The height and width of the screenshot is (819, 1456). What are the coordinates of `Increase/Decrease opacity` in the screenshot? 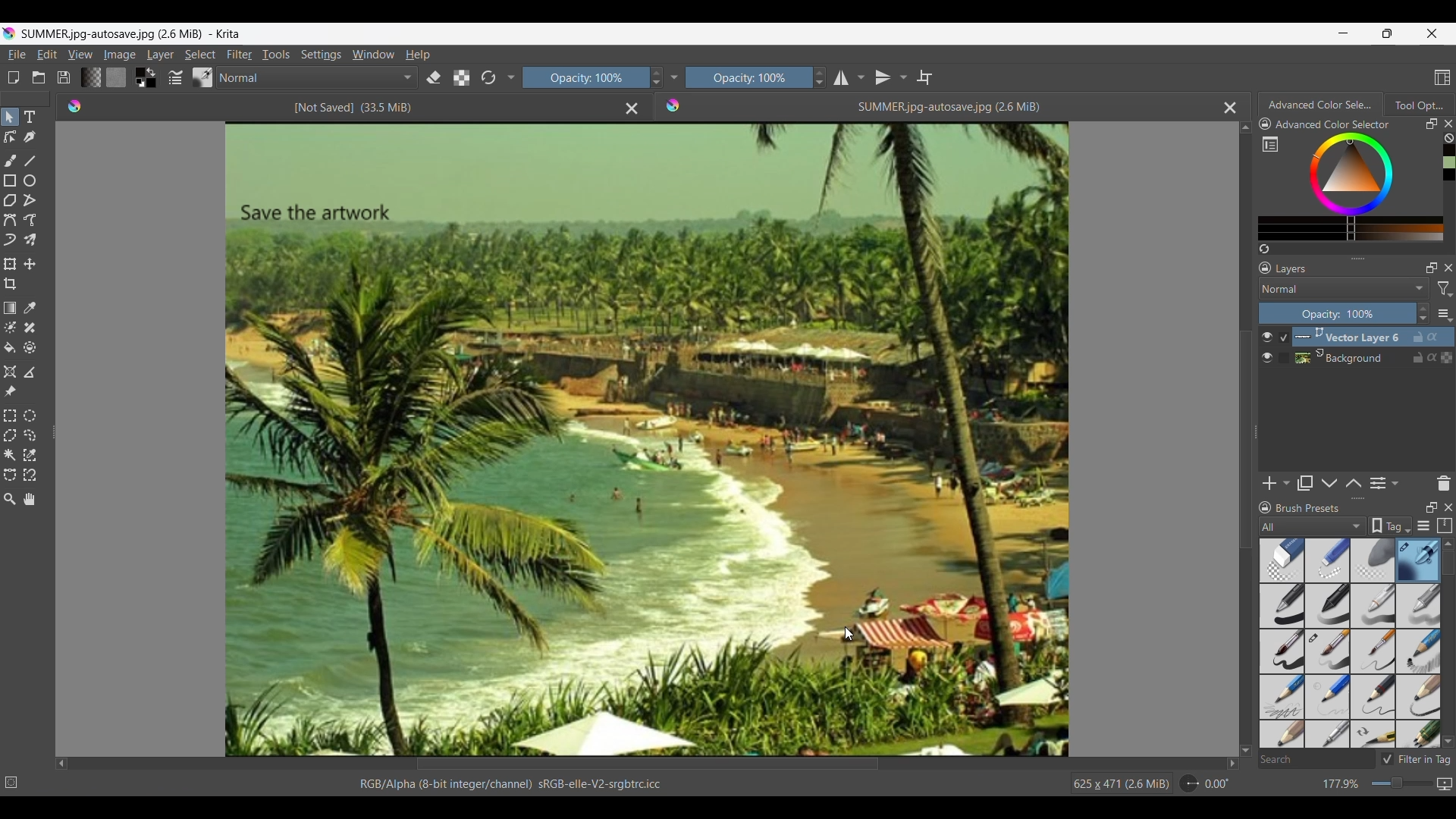 It's located at (655, 77).